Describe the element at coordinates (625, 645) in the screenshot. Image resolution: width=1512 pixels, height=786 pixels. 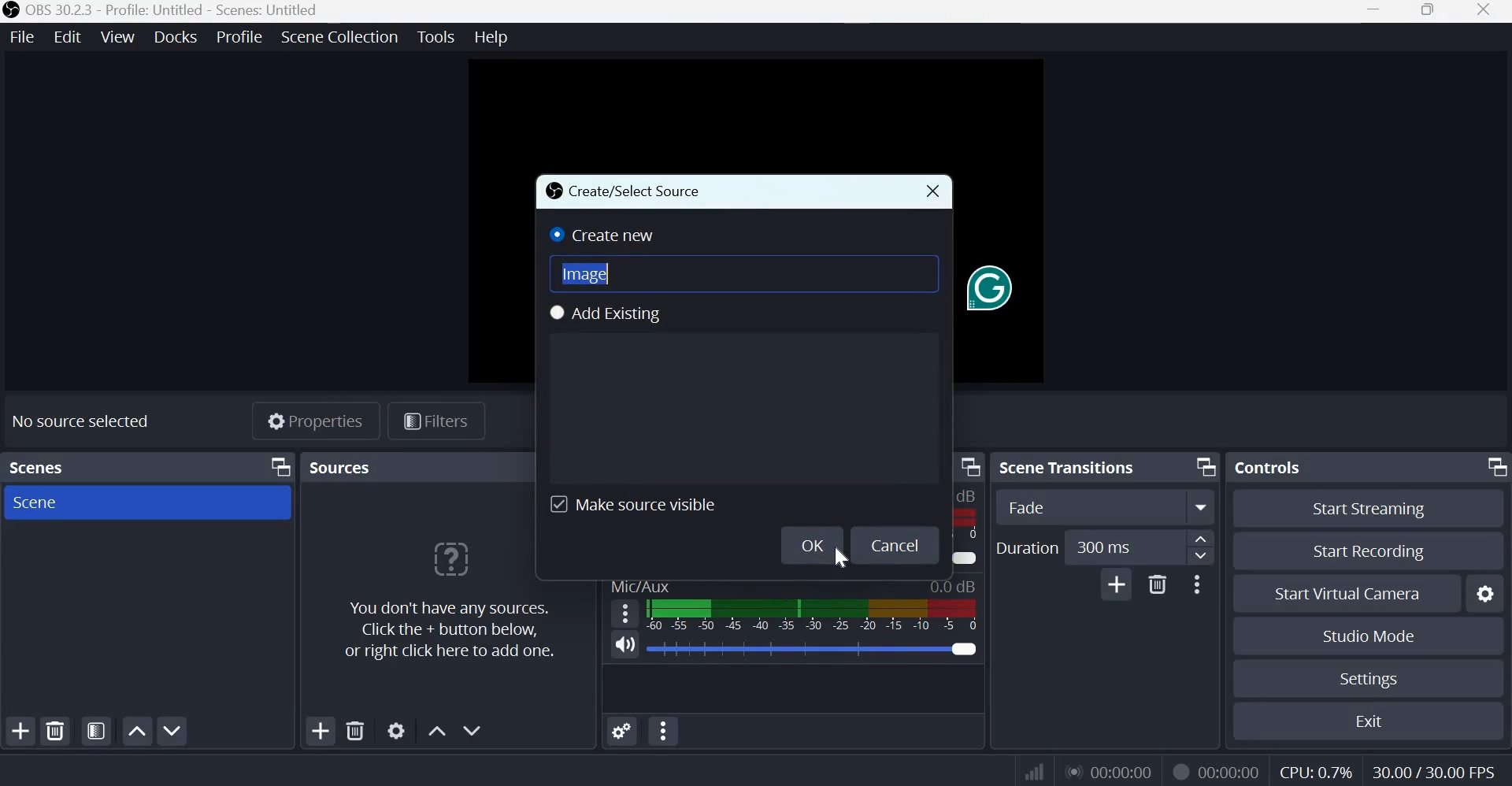
I see `Microphone` at that location.